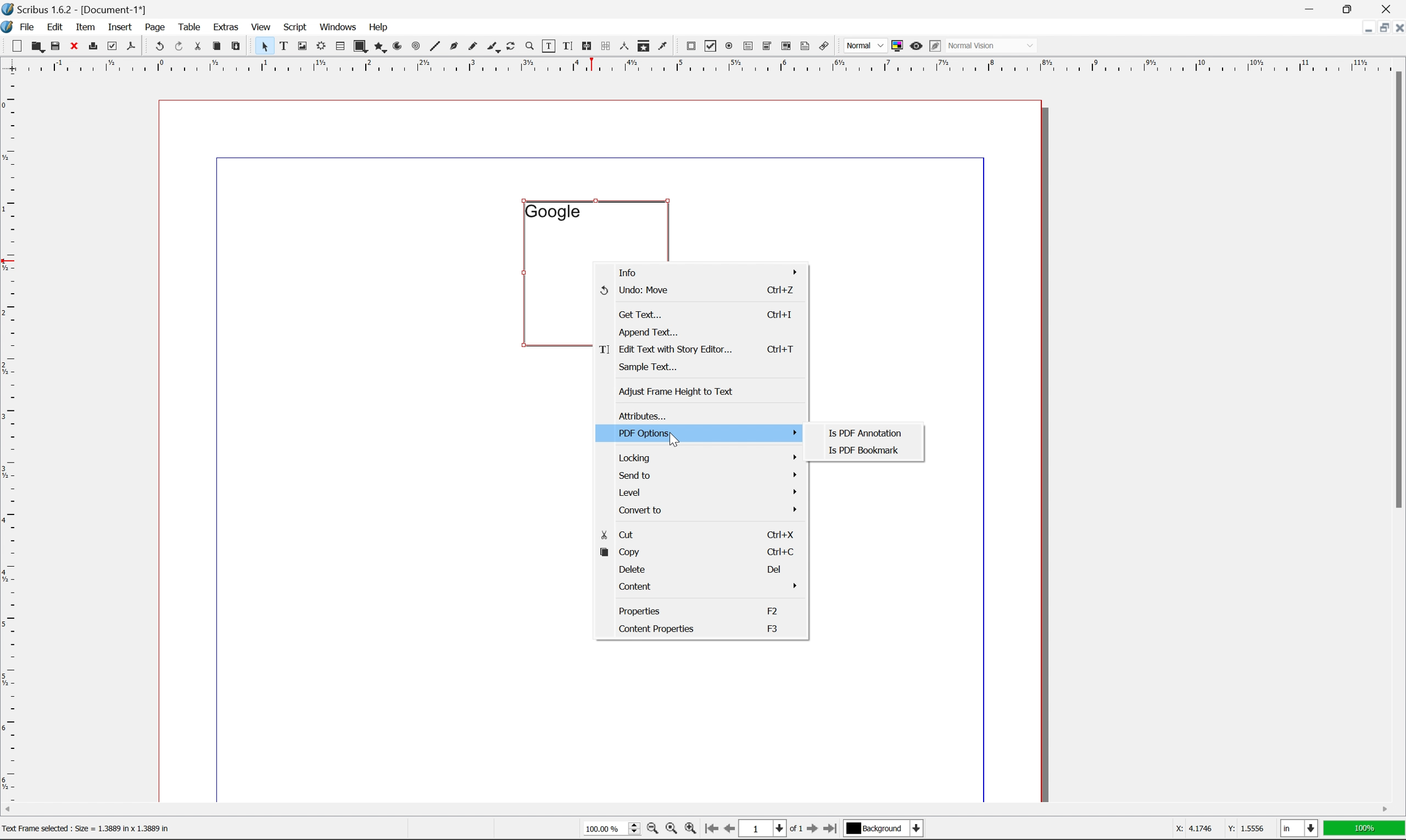 Image resolution: width=1406 pixels, height=840 pixels. Describe the element at coordinates (746, 47) in the screenshot. I see `pdf text field` at that location.